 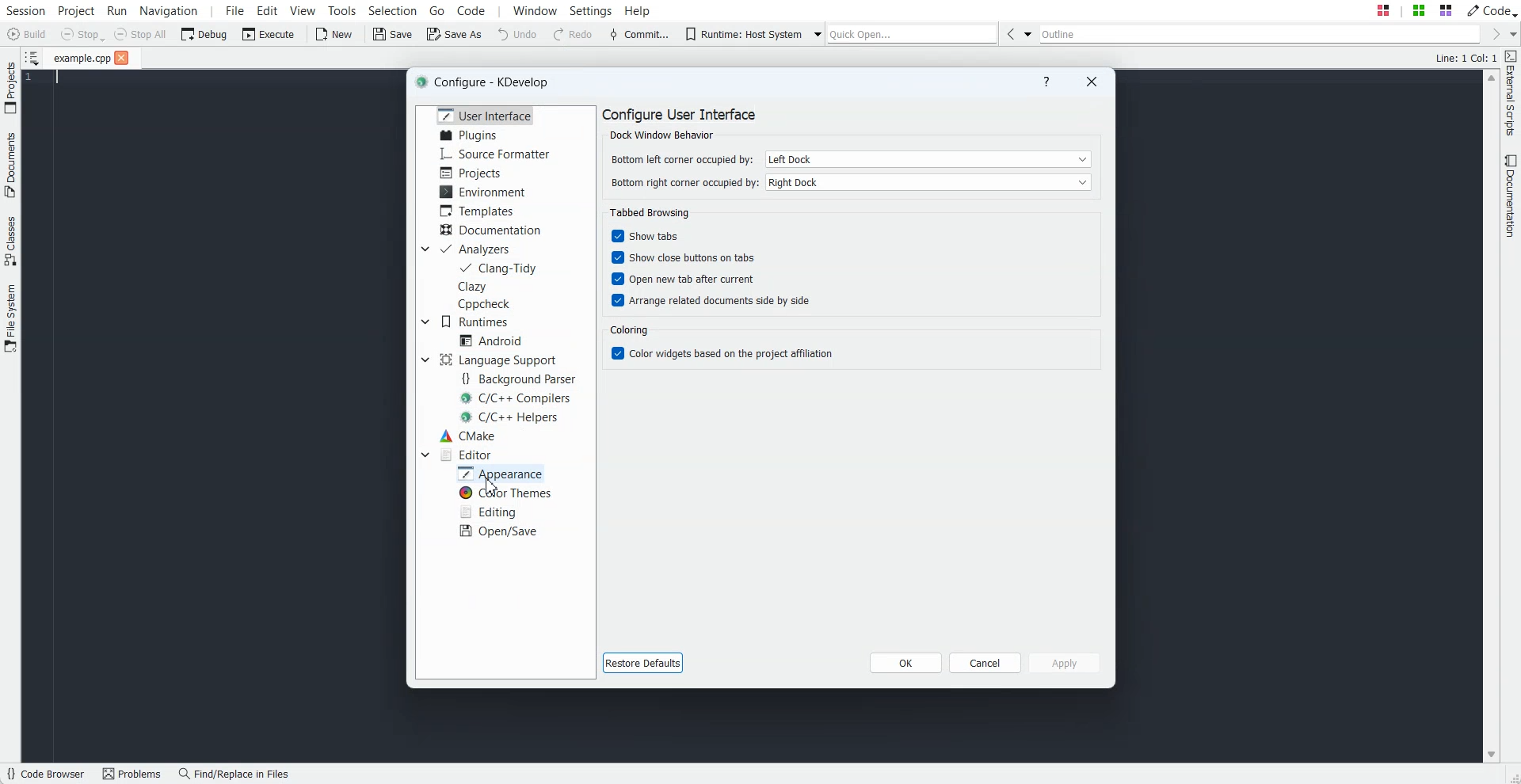 What do you see at coordinates (475, 249) in the screenshot?
I see `Analyzers` at bounding box center [475, 249].